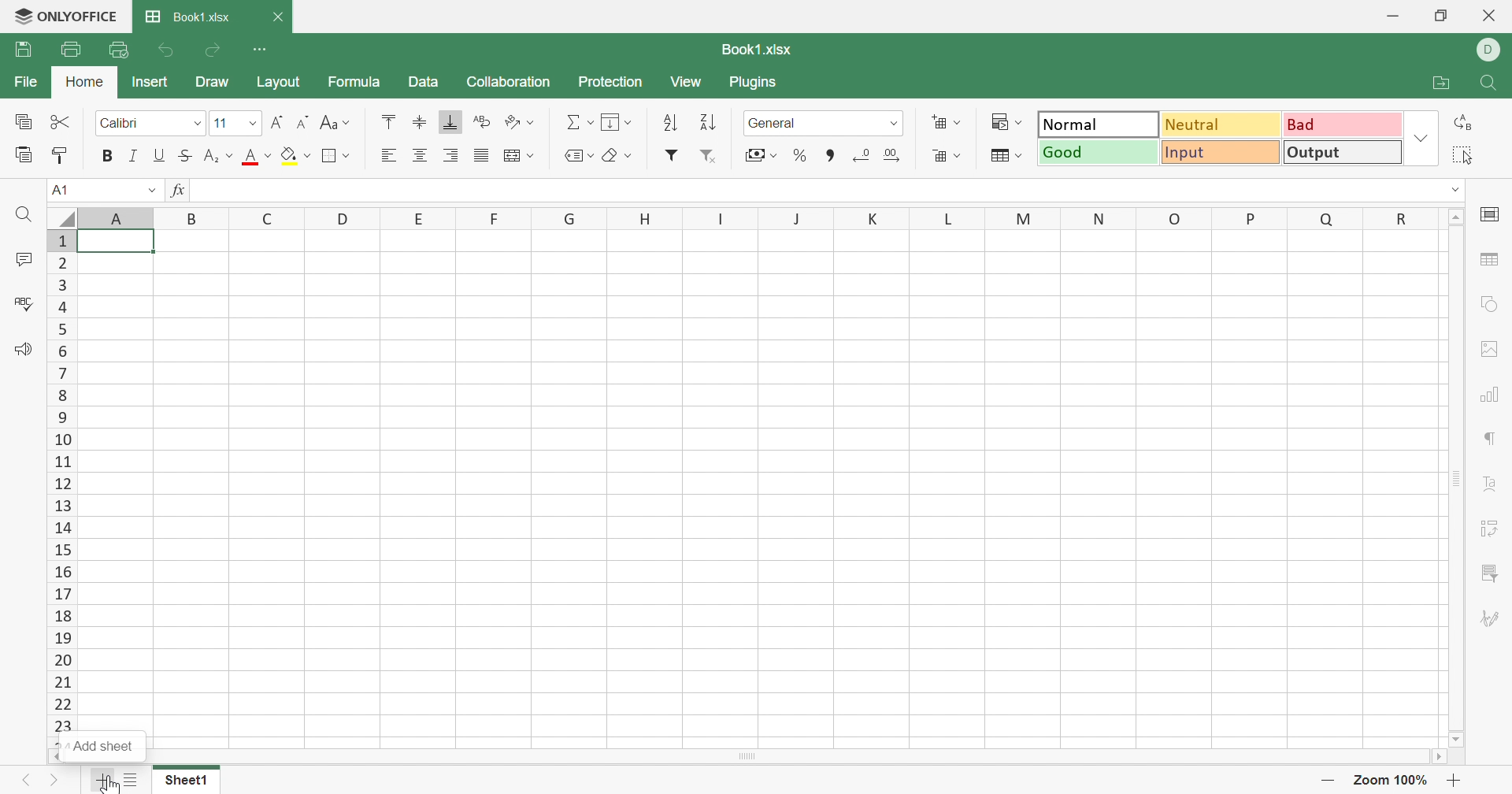 The height and width of the screenshot is (794, 1512). Describe the element at coordinates (20, 155) in the screenshot. I see `Paste` at that location.